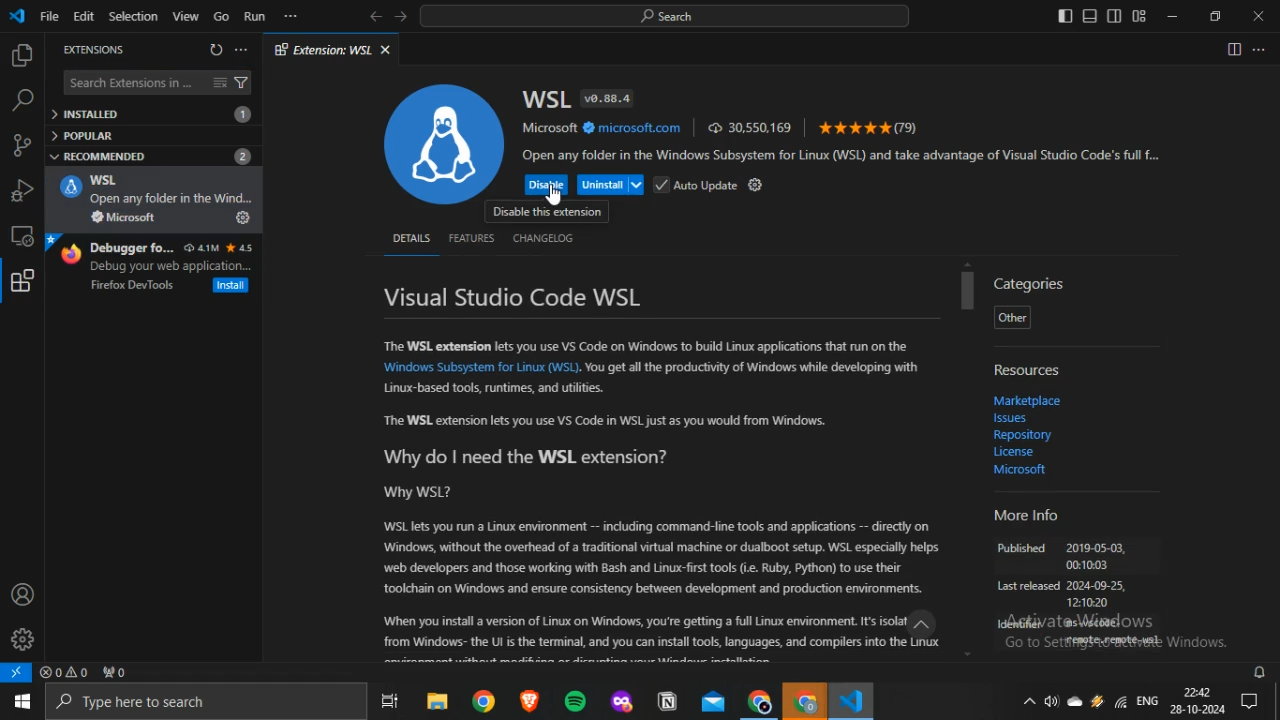 Image resolution: width=1280 pixels, height=720 pixels. What do you see at coordinates (255, 16) in the screenshot?
I see `Run` at bounding box center [255, 16].